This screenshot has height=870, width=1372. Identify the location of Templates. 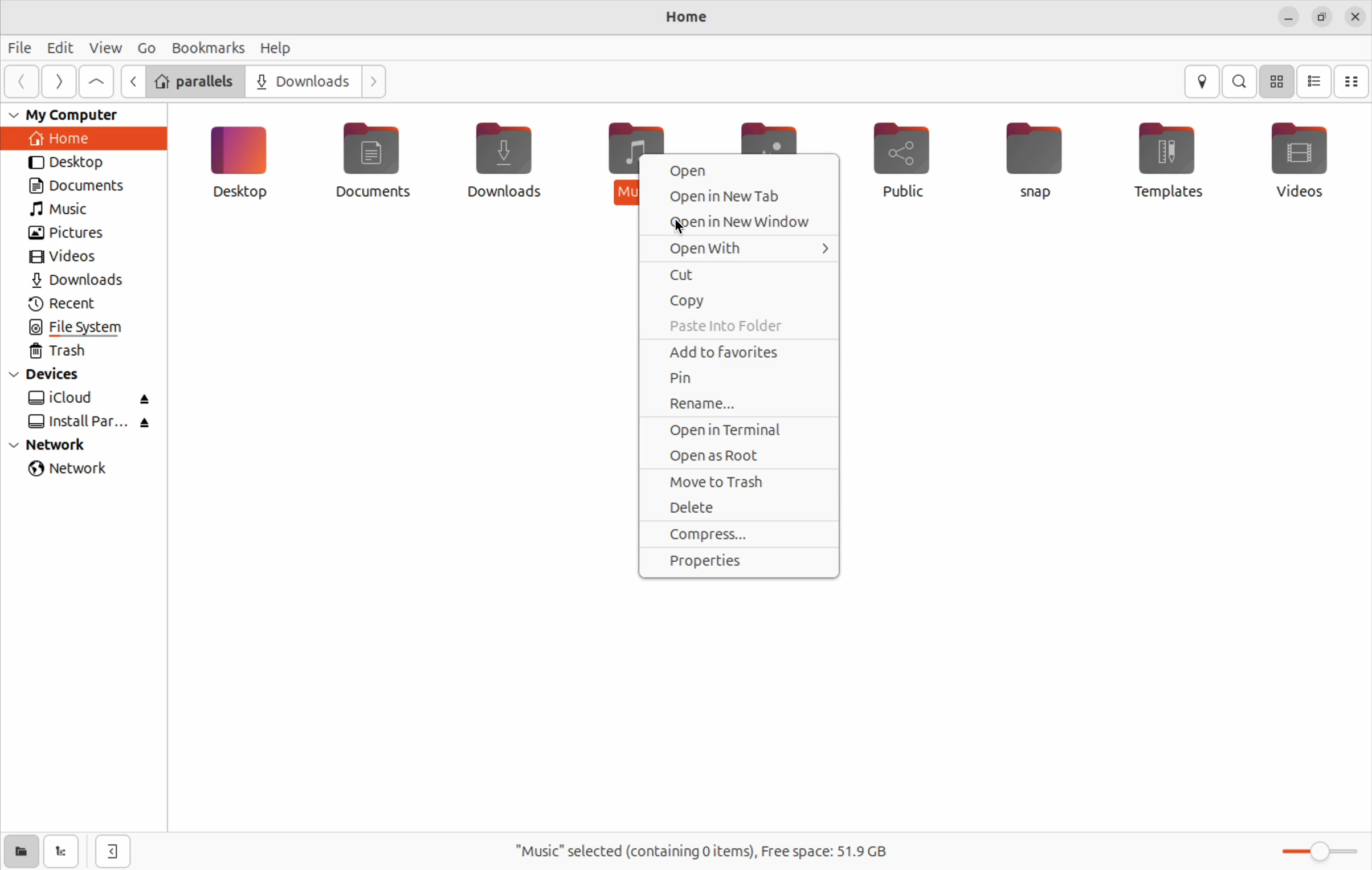
(1171, 157).